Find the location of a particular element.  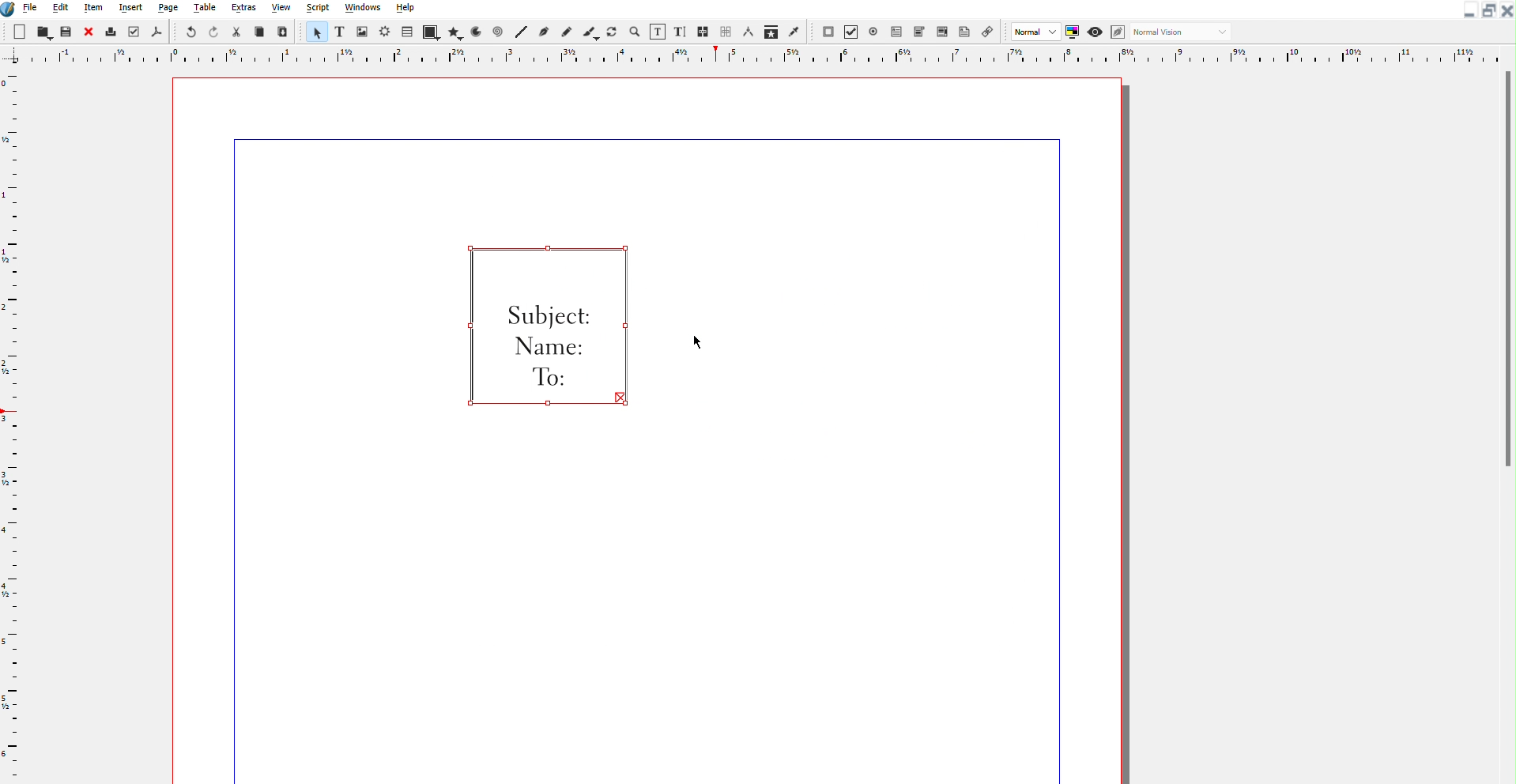

PDF Tools is located at coordinates (905, 31).